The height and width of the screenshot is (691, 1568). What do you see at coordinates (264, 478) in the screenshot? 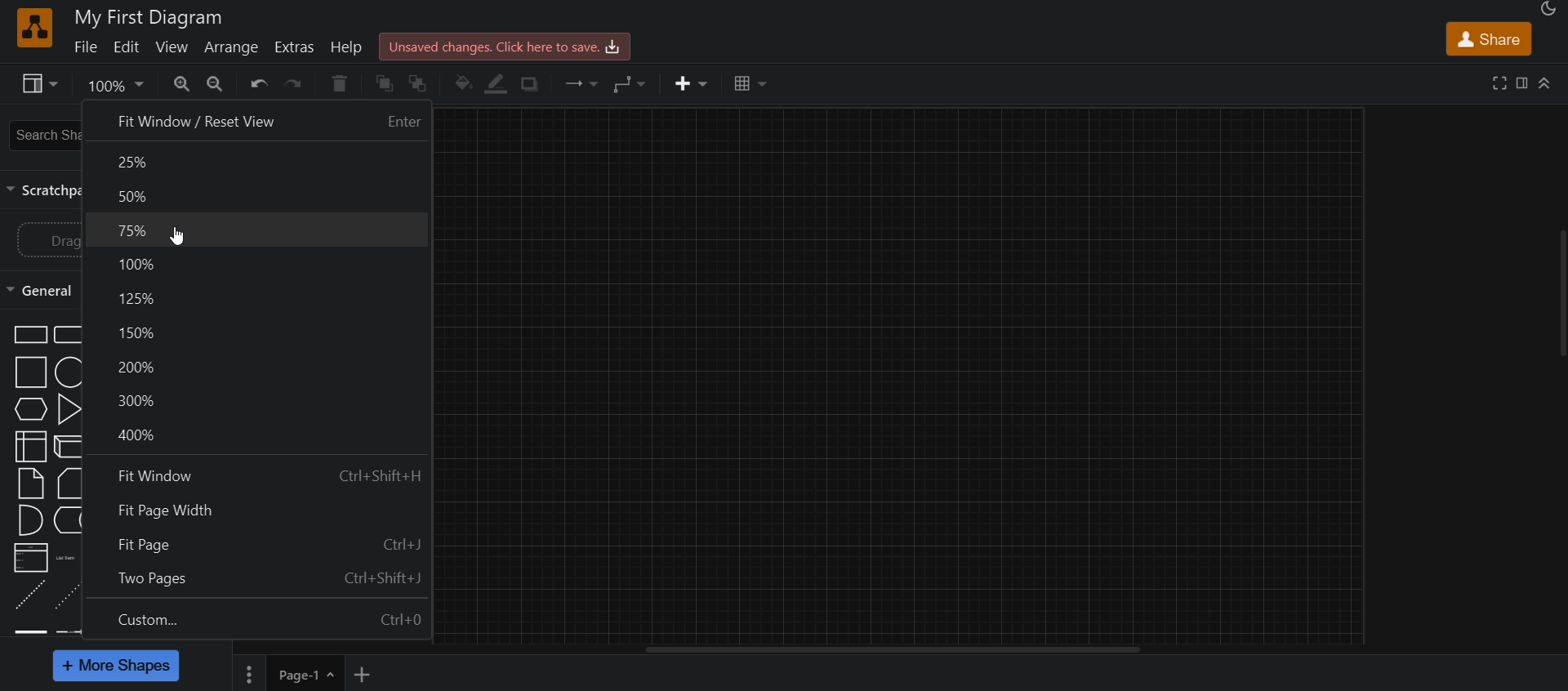
I see `fit window` at bounding box center [264, 478].